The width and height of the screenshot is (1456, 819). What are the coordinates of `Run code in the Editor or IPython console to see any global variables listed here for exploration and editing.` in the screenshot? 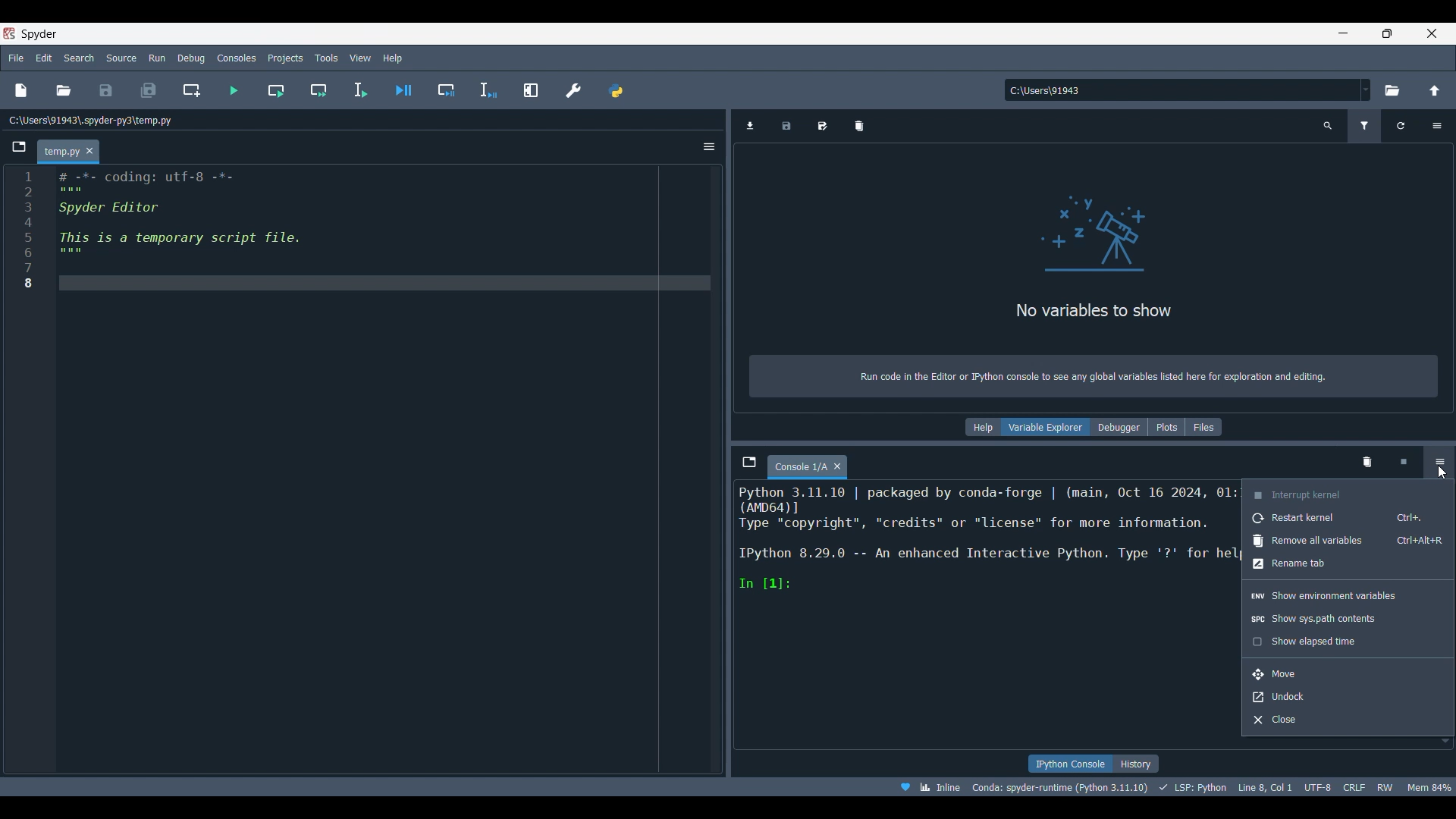 It's located at (1098, 376).